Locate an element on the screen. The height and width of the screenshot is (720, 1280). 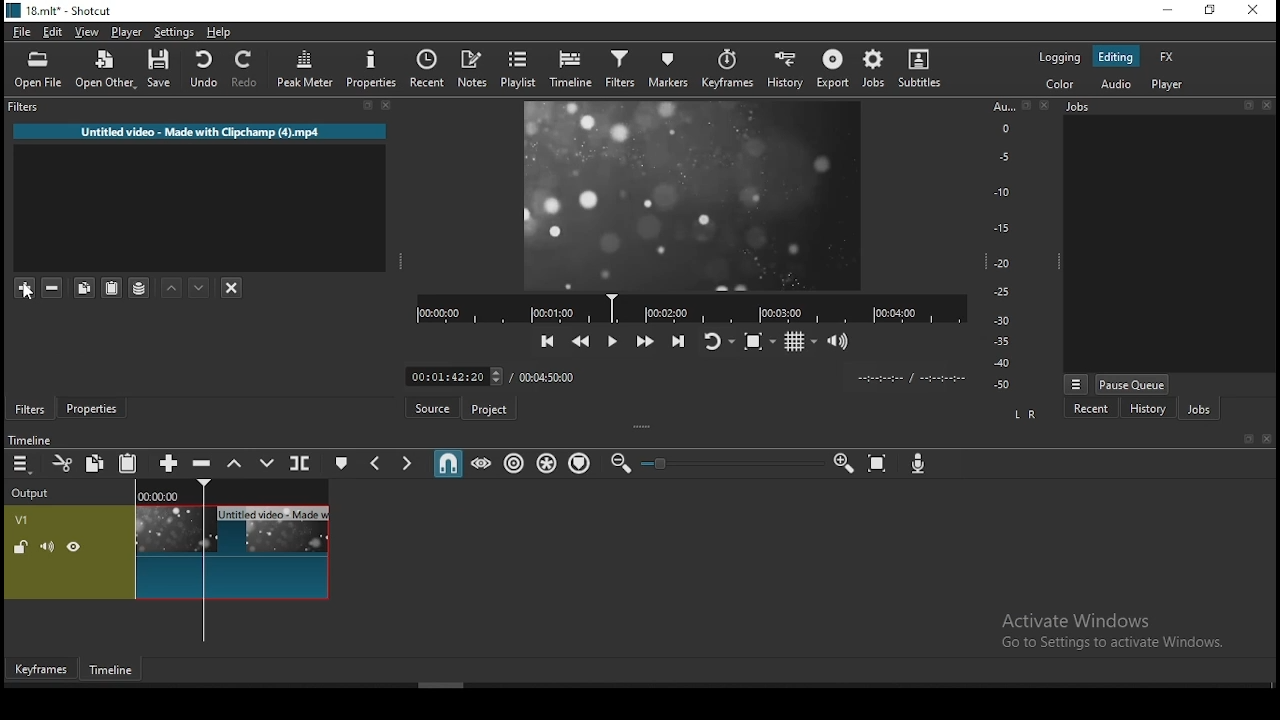
Audio Level is located at coordinates (1009, 246).